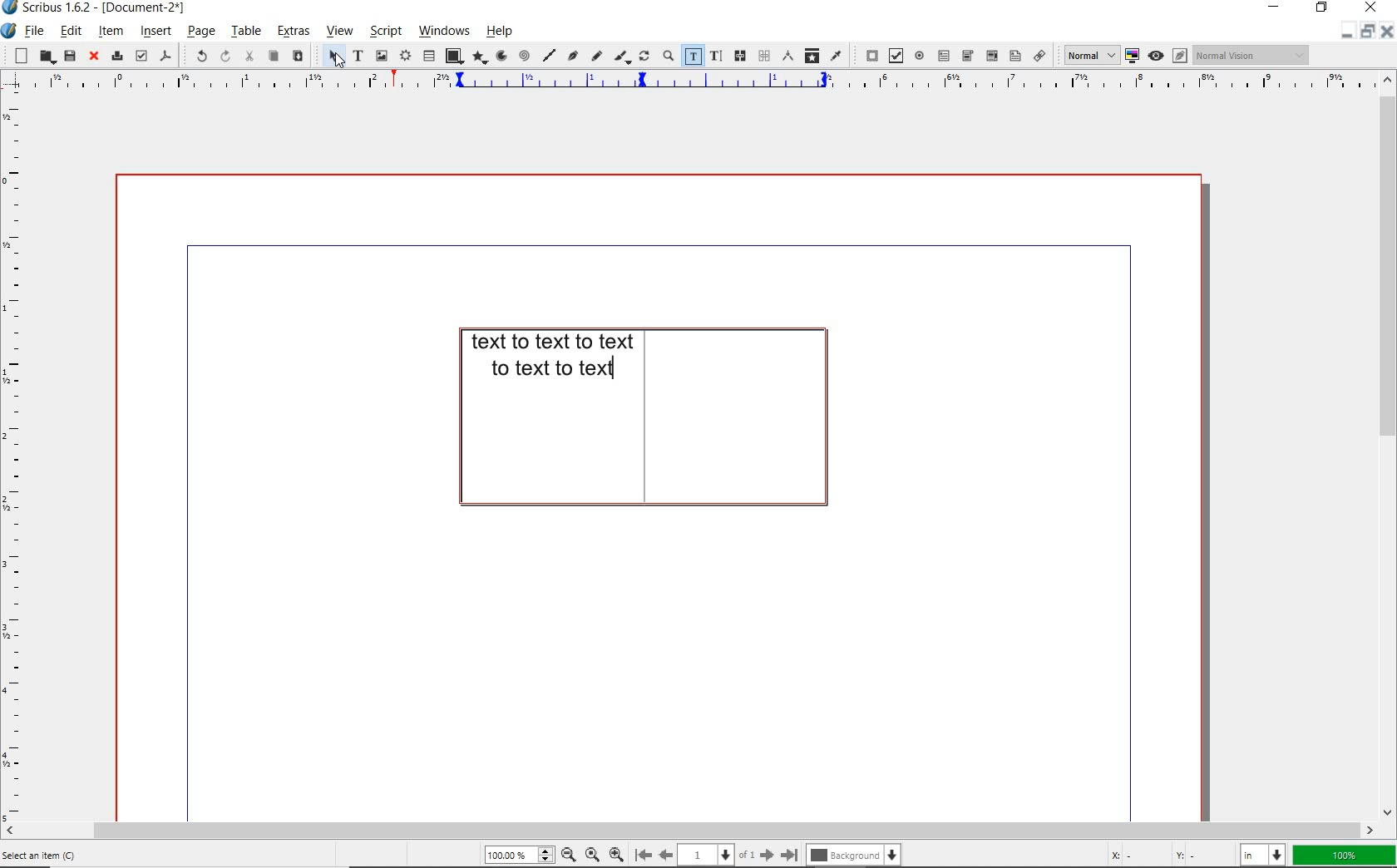 This screenshot has width=1397, height=868. What do you see at coordinates (1170, 56) in the screenshot?
I see `preview mode` at bounding box center [1170, 56].